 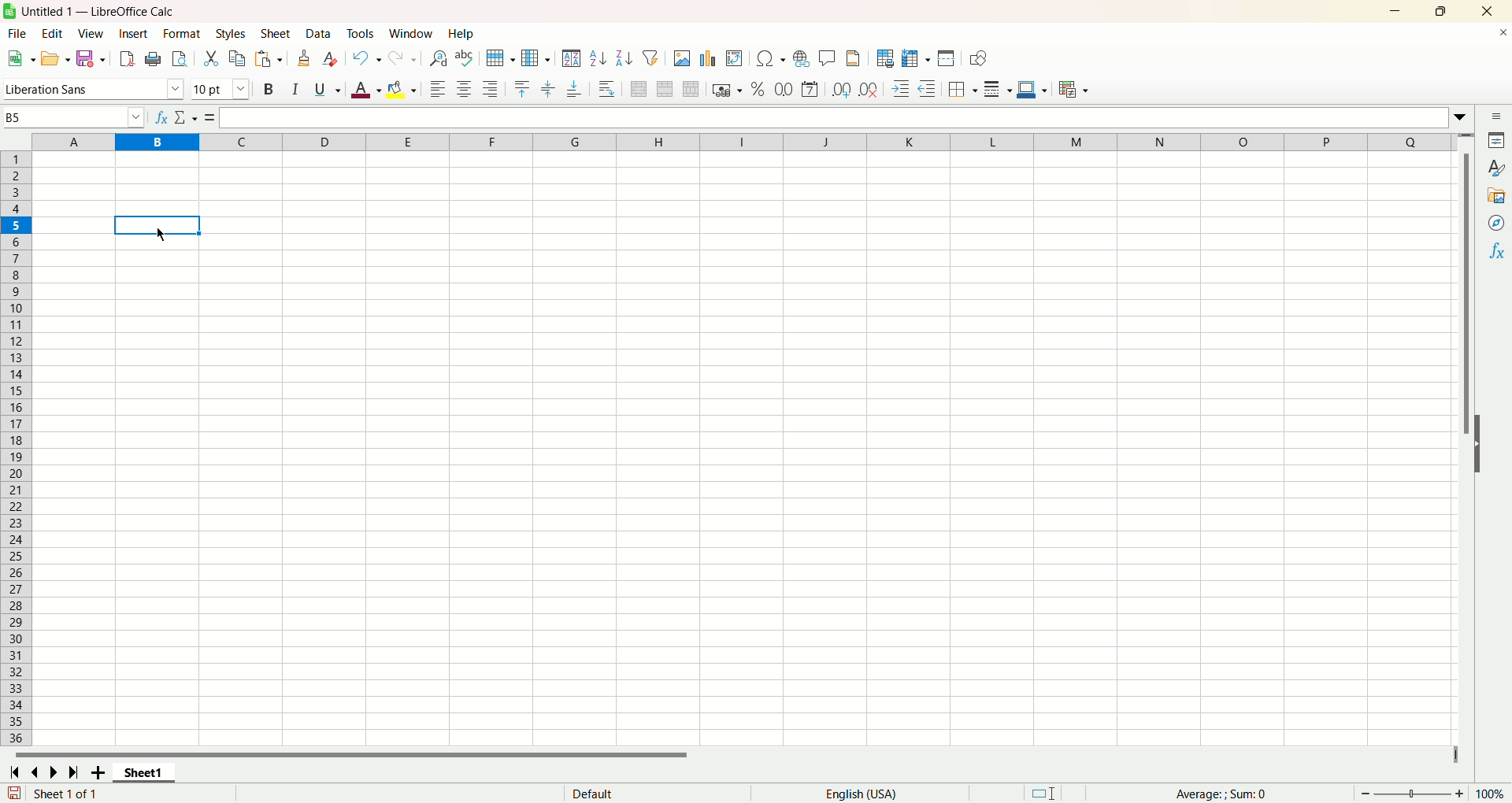 I want to click on tools, so click(x=360, y=34).